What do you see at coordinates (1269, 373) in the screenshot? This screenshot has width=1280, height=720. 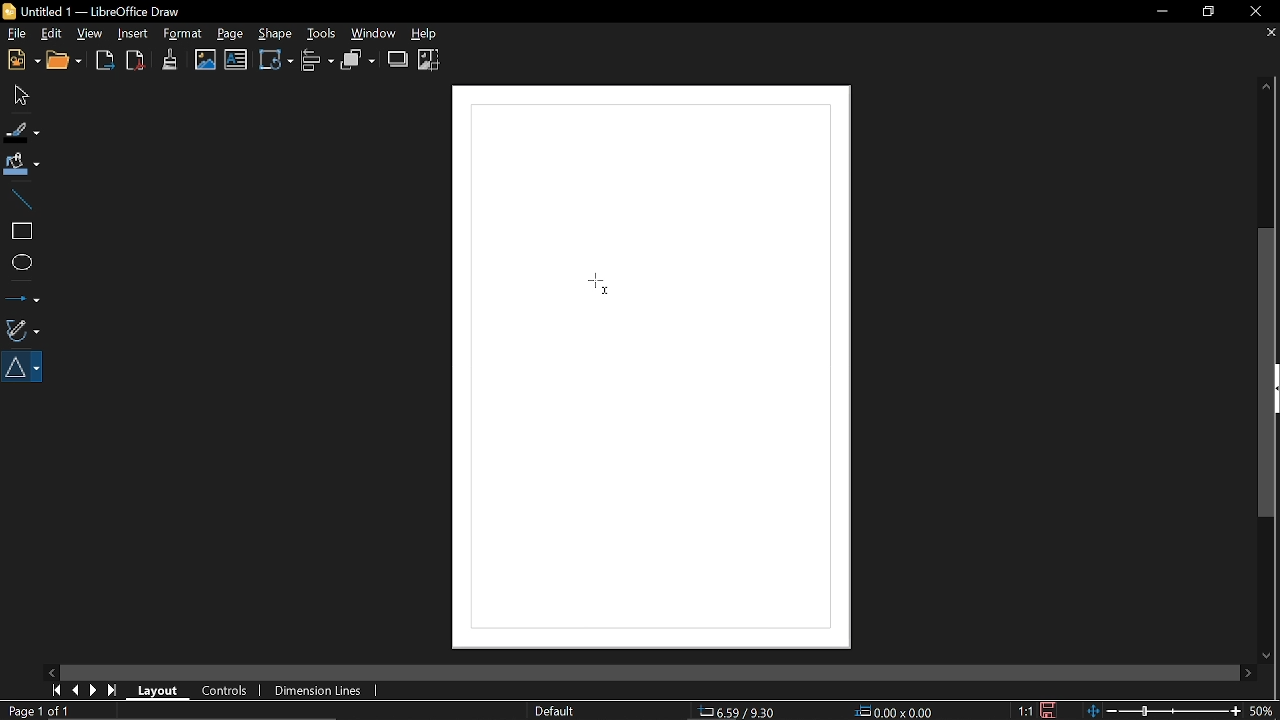 I see `Vertical scrollbar` at bounding box center [1269, 373].